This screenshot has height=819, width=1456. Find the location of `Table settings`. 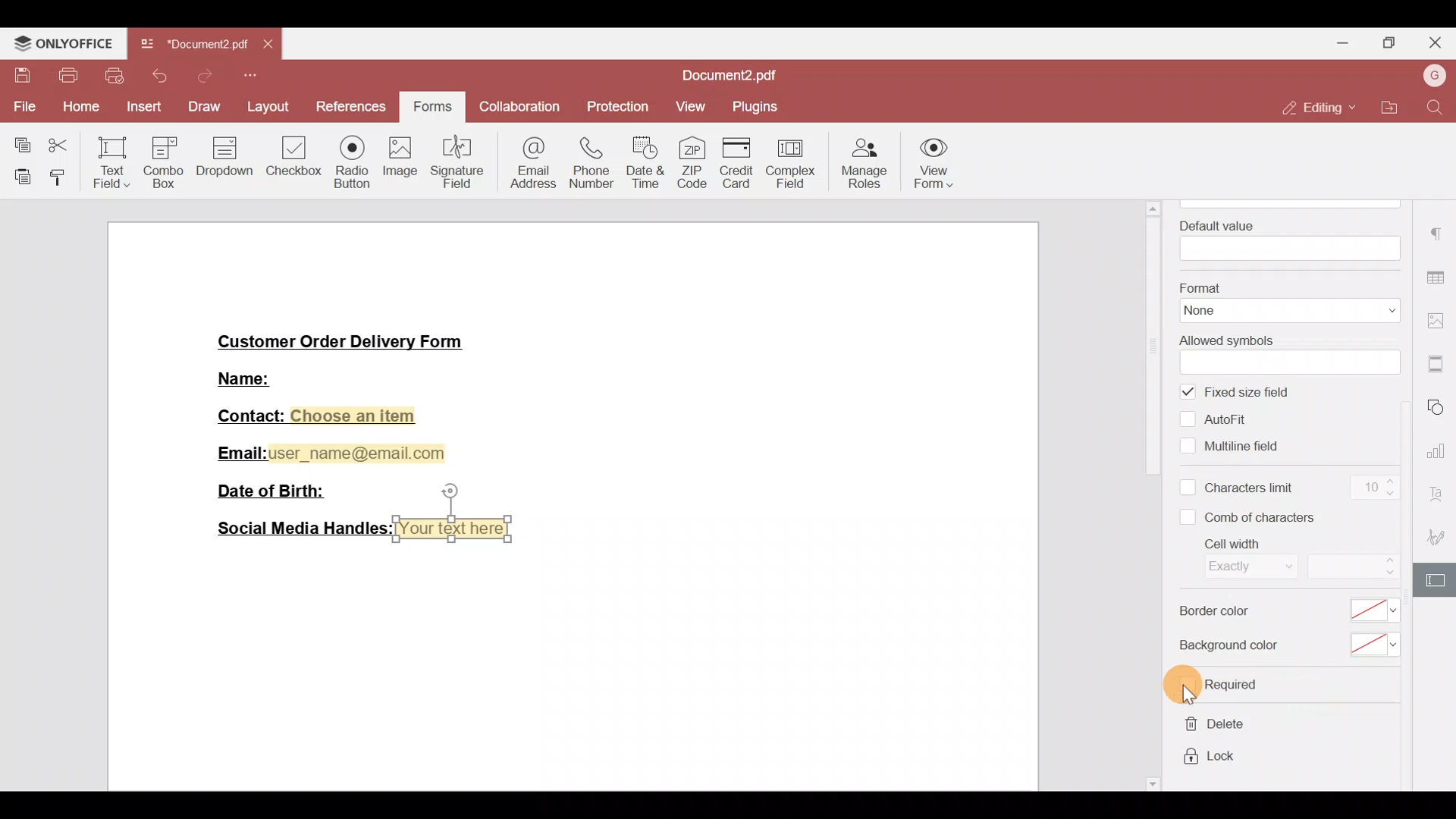

Table settings is located at coordinates (1438, 275).